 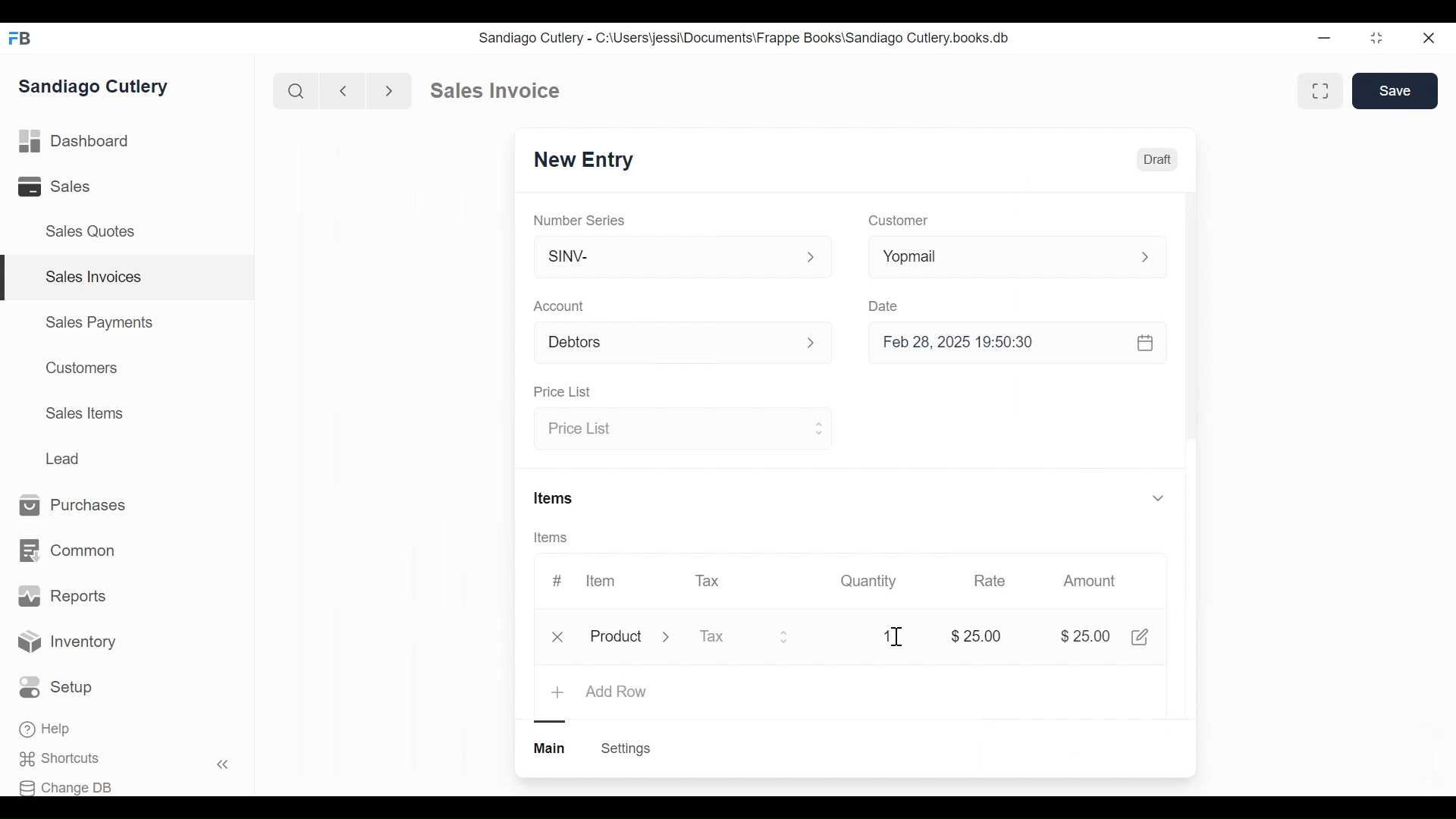 I want to click on Account p, so click(x=684, y=344).